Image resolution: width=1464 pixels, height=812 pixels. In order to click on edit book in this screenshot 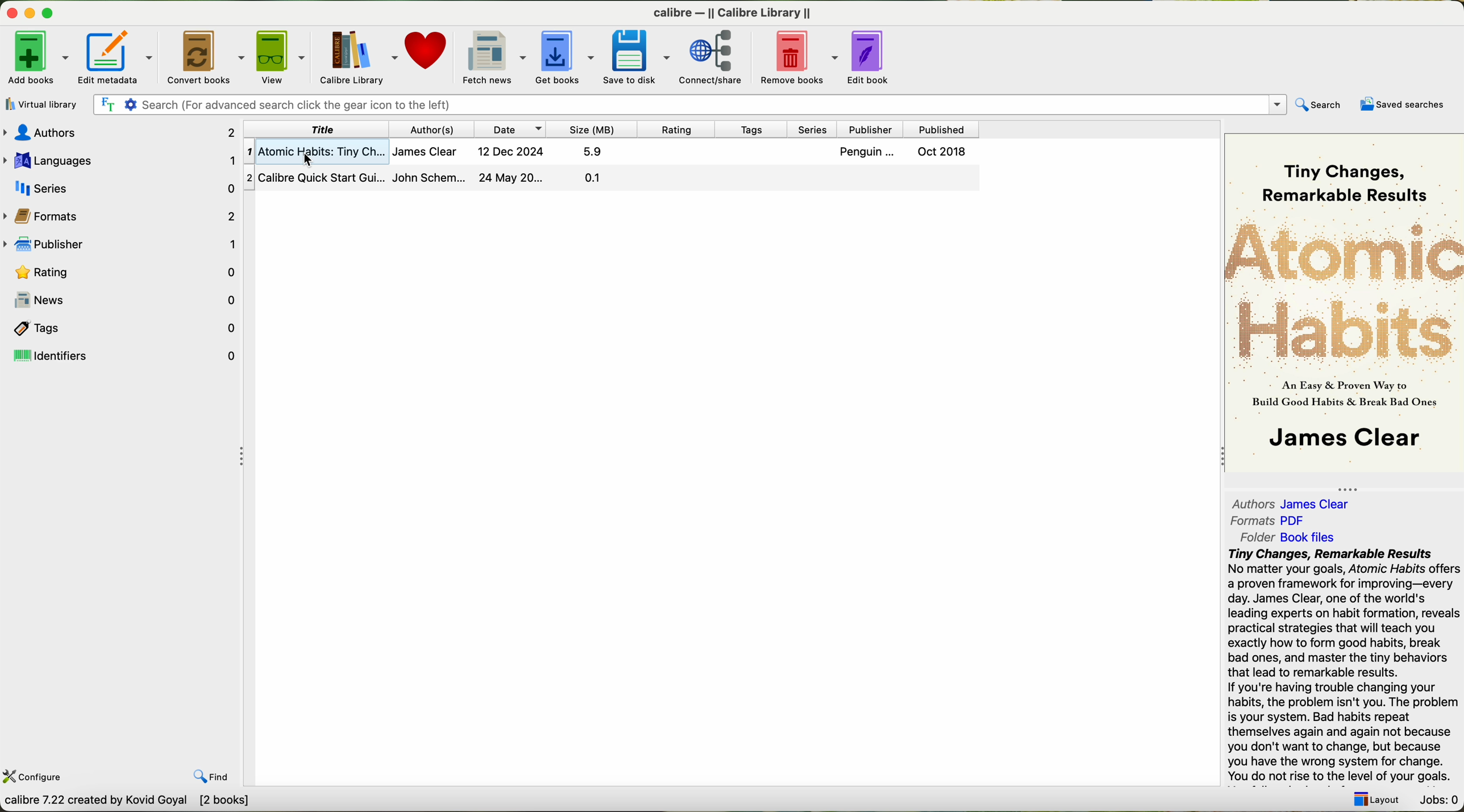, I will do `click(873, 57)`.